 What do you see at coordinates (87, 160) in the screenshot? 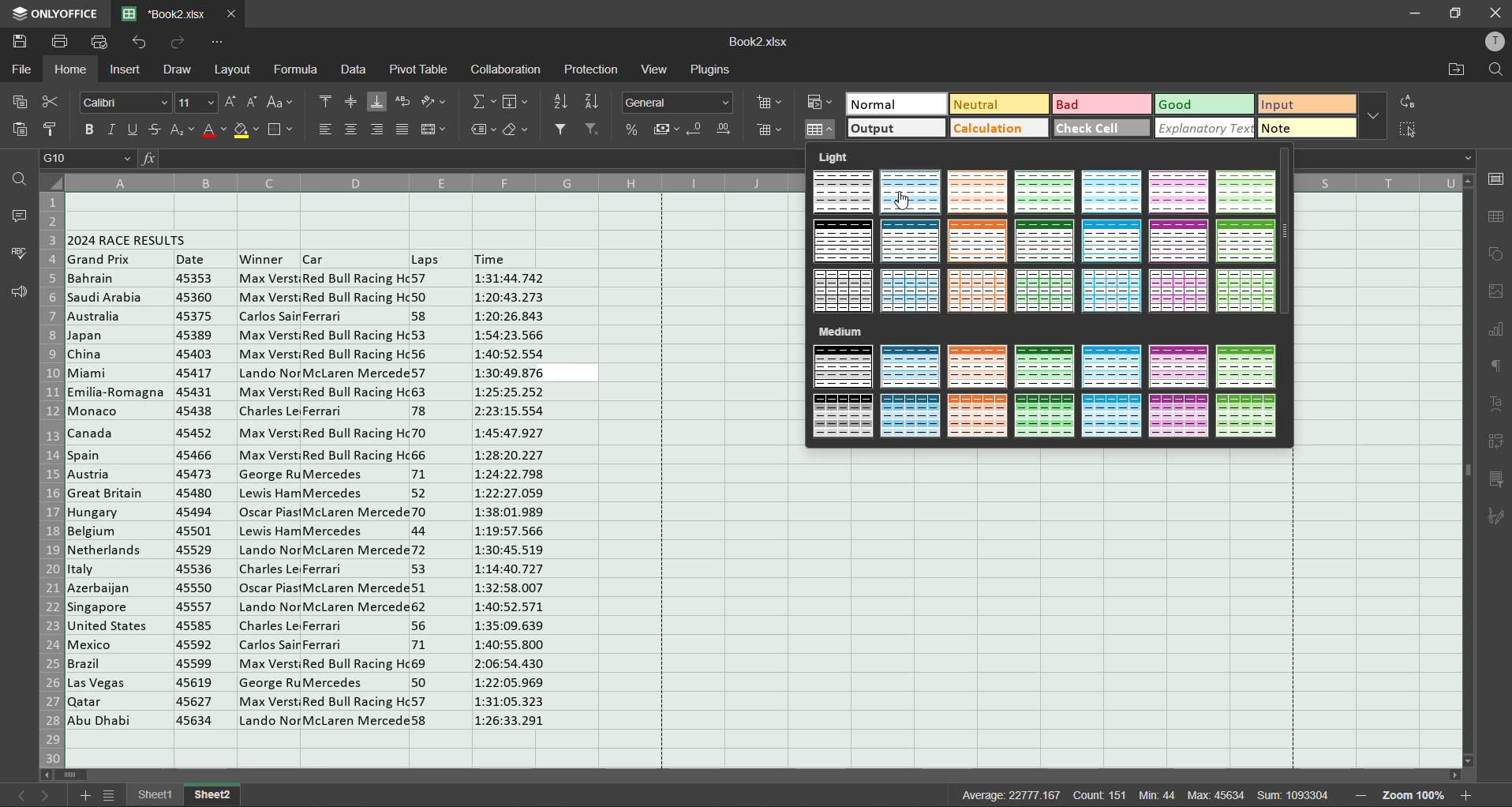
I see `cell address` at bounding box center [87, 160].